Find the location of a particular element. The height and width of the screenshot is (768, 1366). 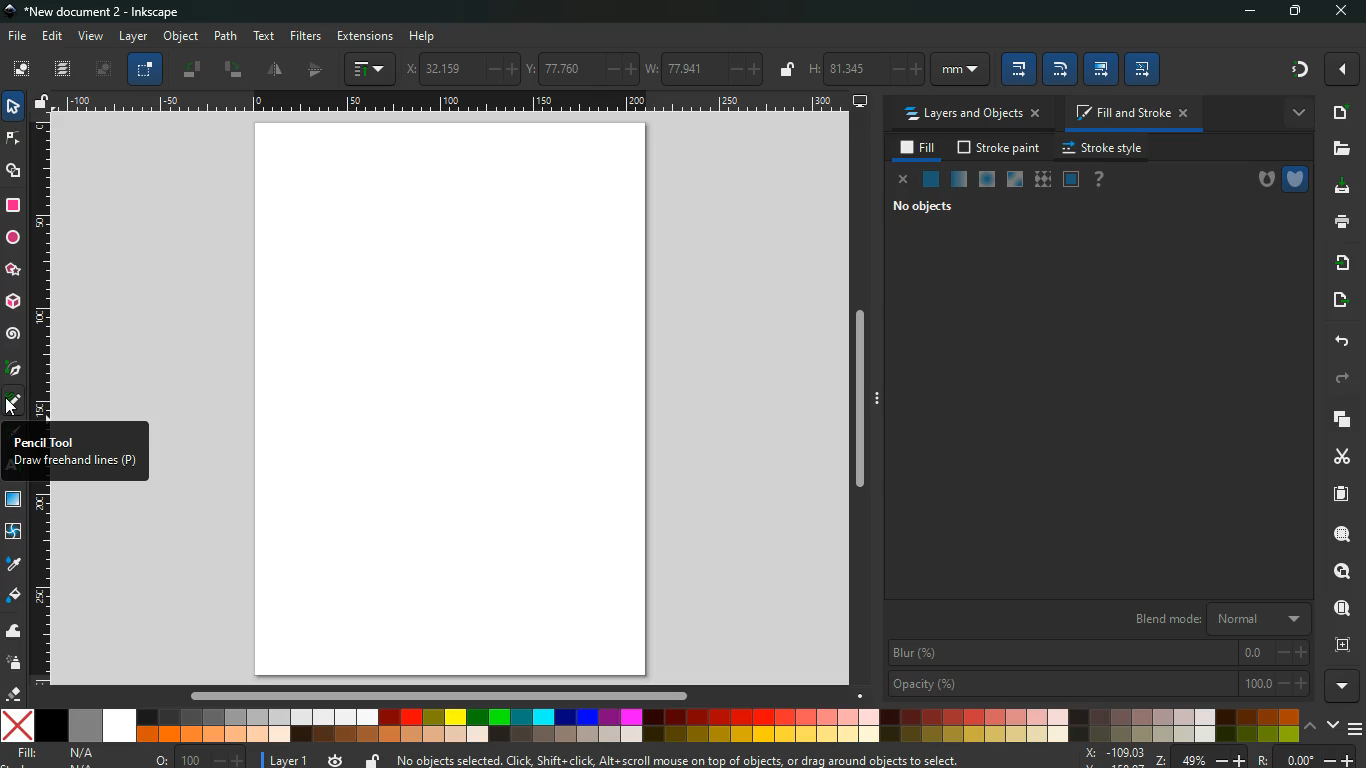

object is located at coordinates (182, 35).